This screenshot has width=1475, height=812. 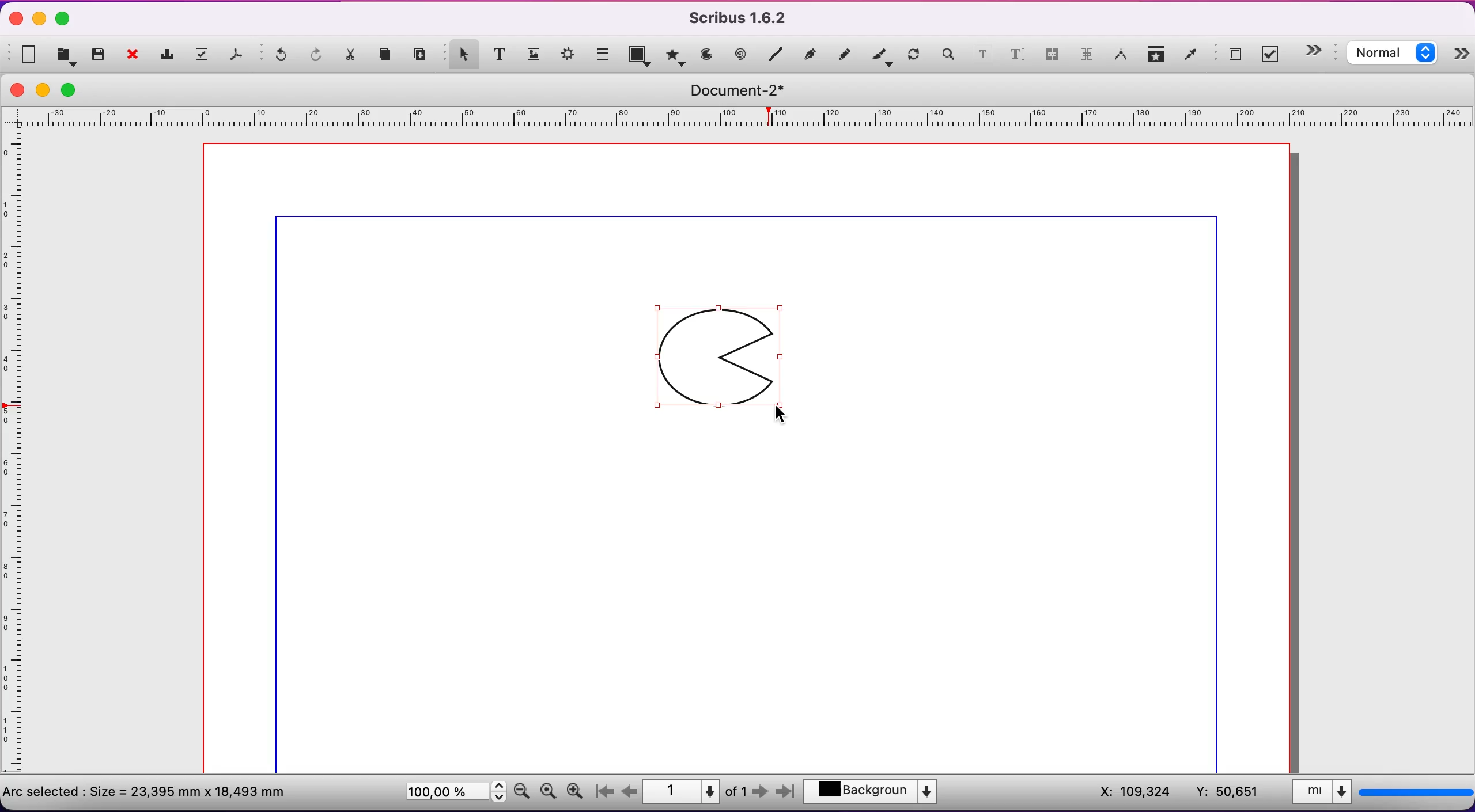 I want to click on measurements, so click(x=1121, y=56).